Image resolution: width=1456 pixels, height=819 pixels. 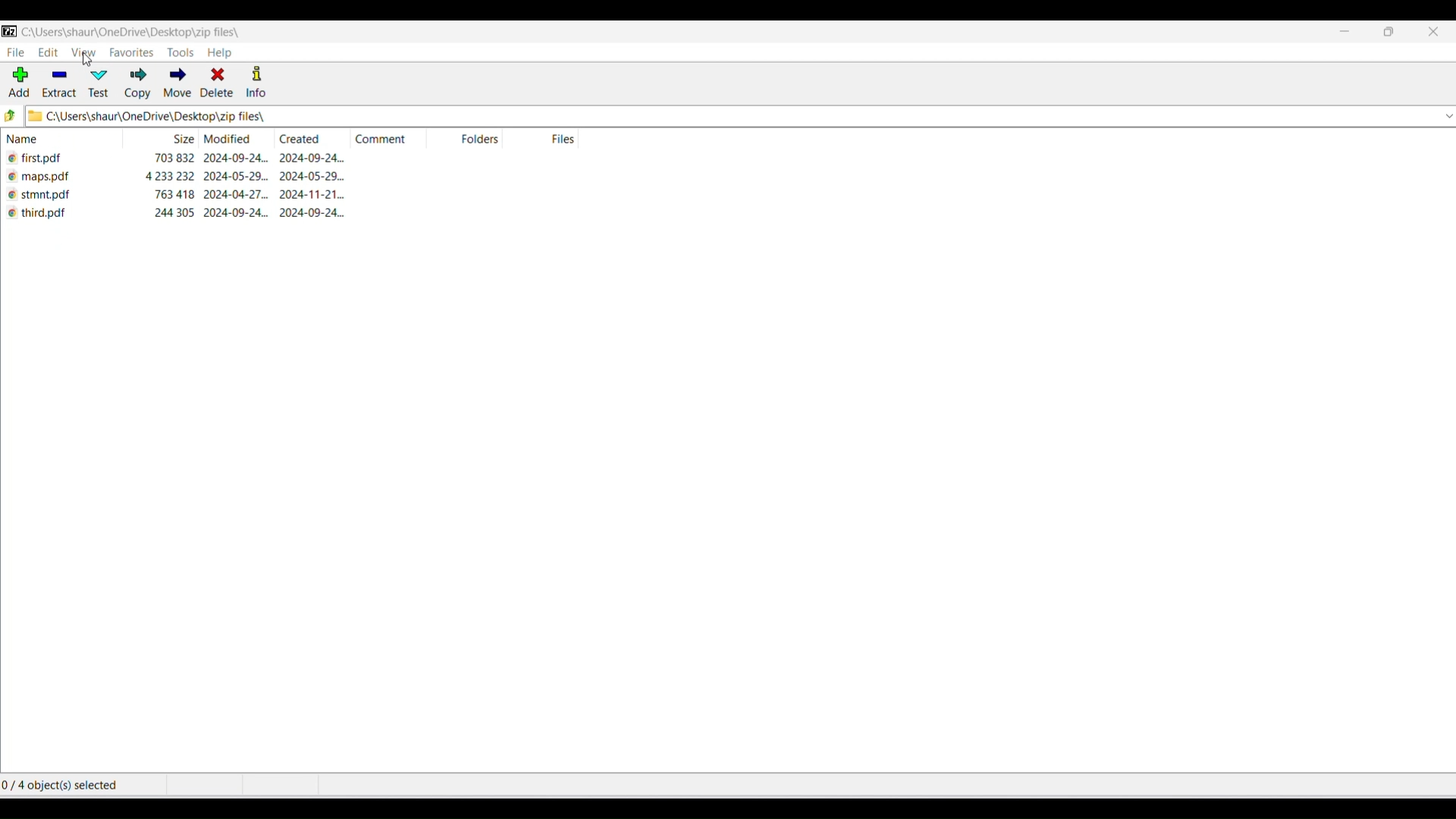 I want to click on extract, so click(x=57, y=83).